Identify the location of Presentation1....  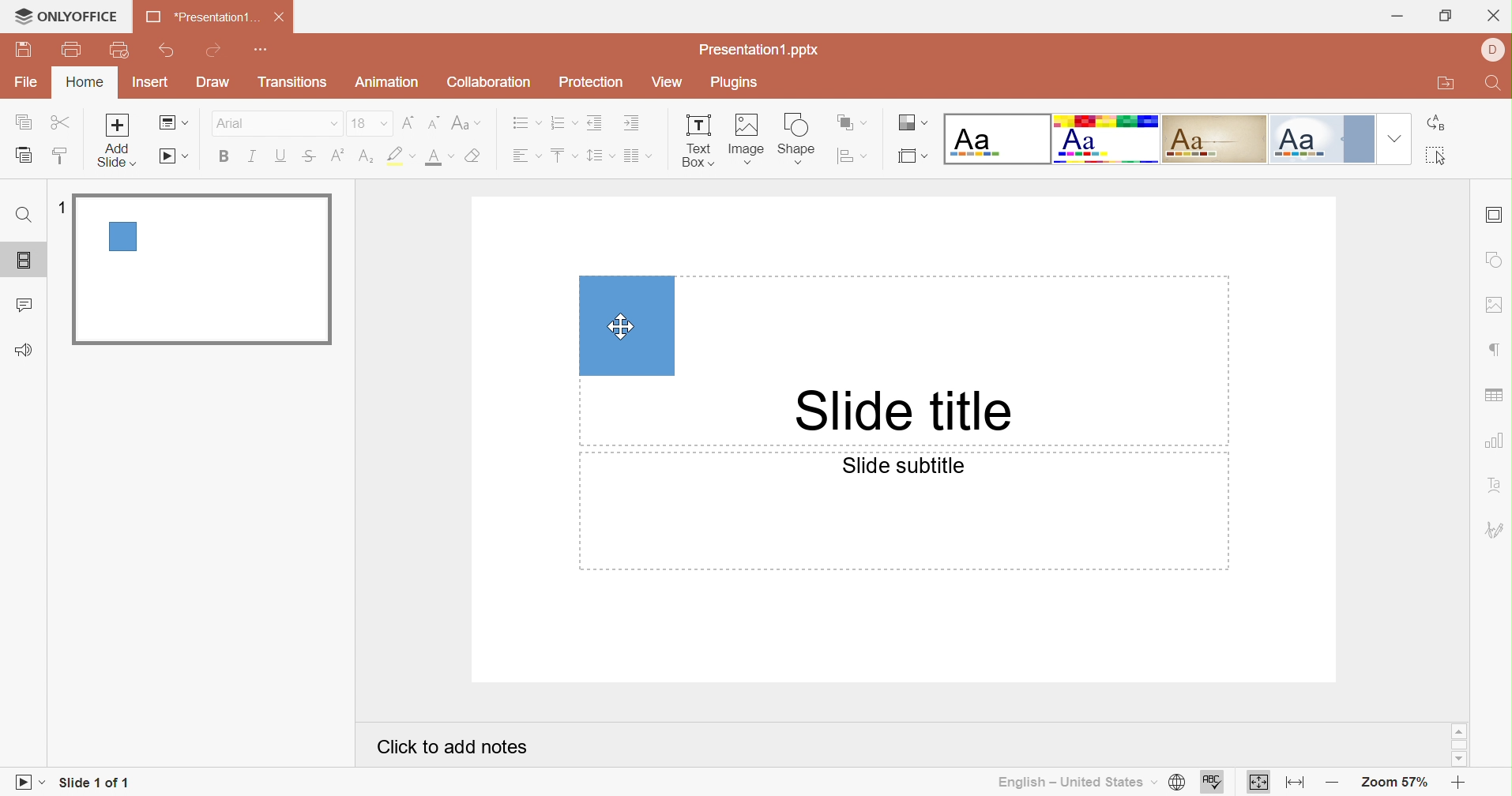
(201, 16).